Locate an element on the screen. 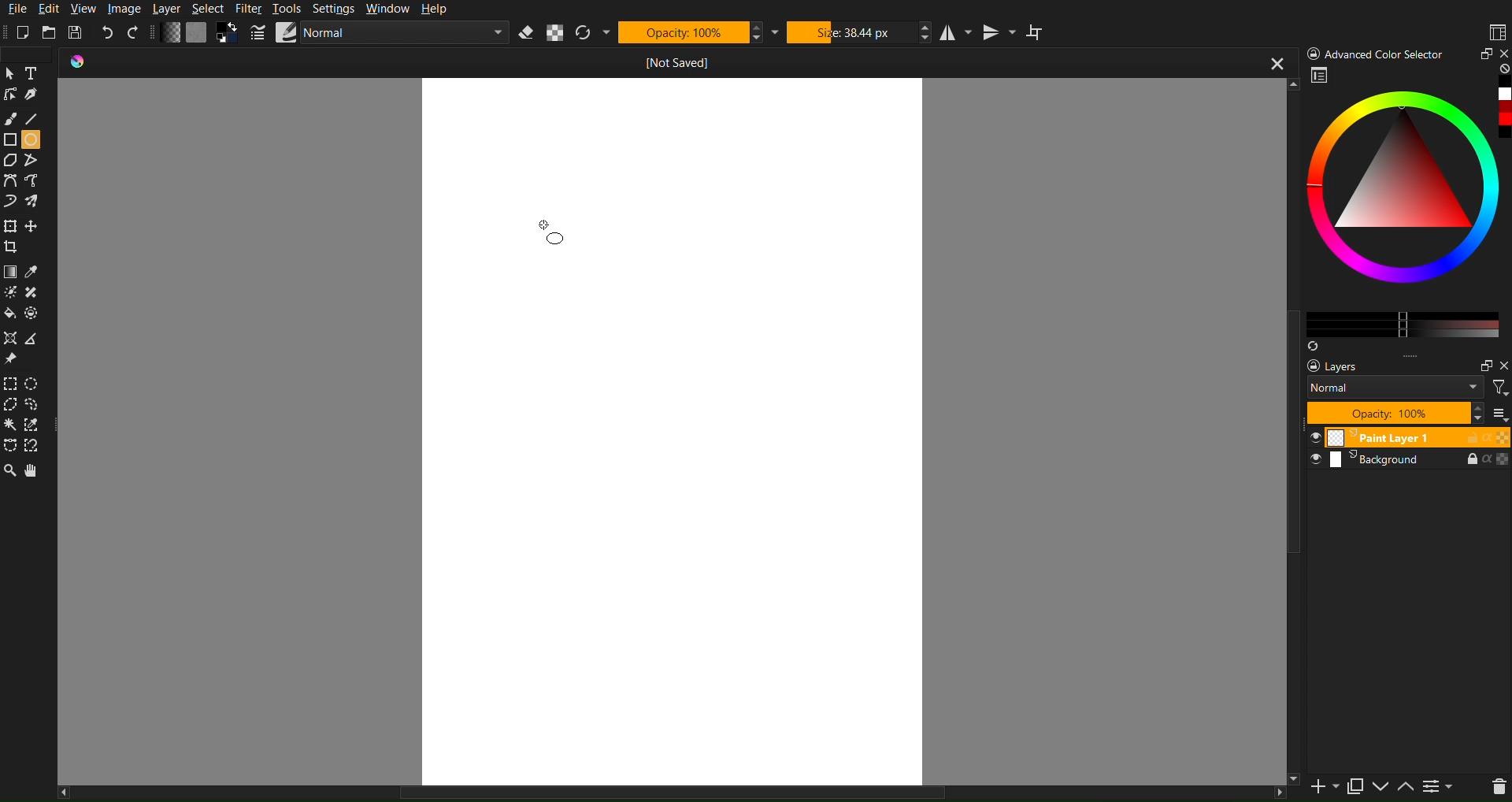  Cursor is located at coordinates (9, 75).